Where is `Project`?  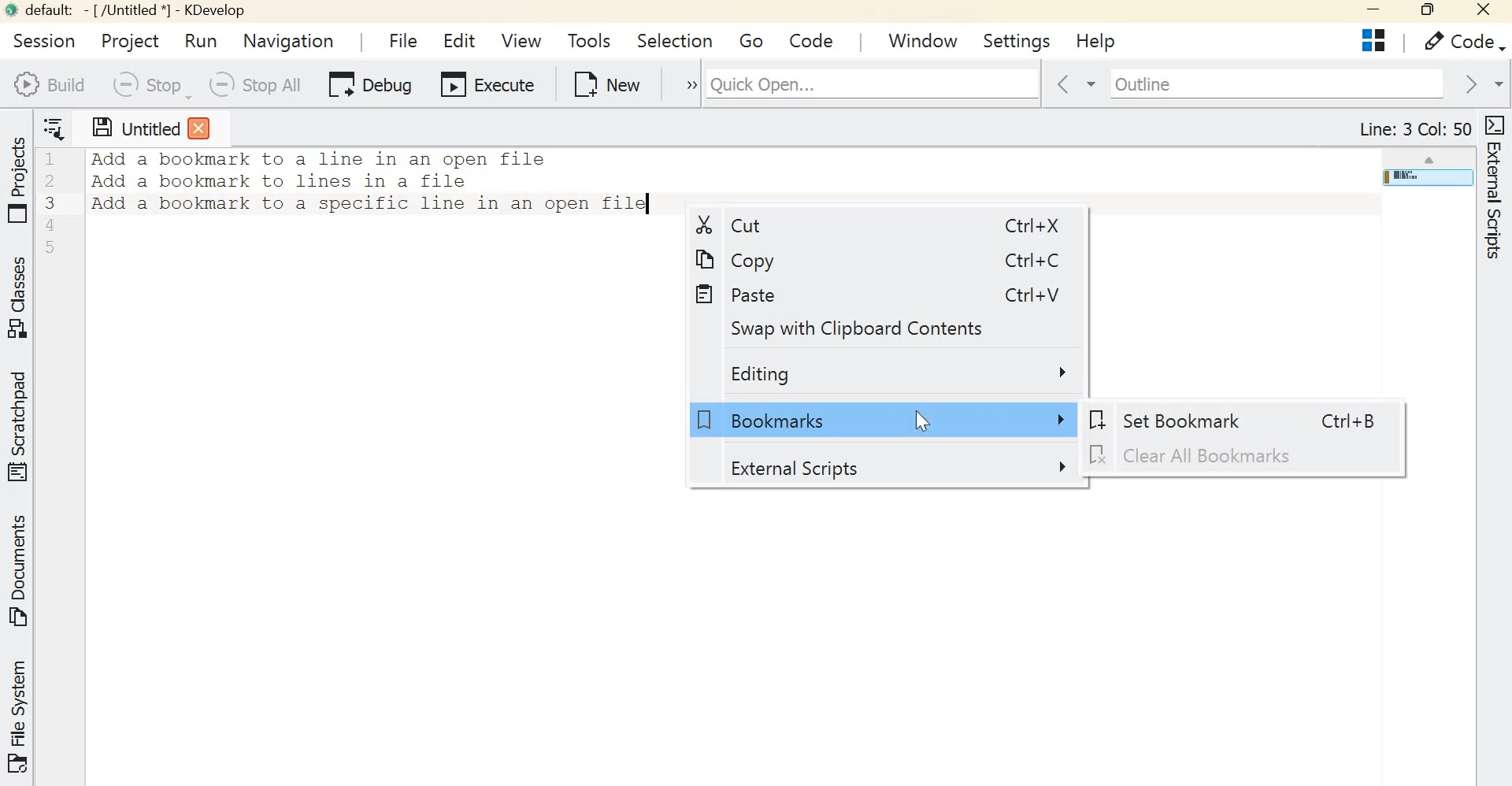
Project is located at coordinates (128, 41).